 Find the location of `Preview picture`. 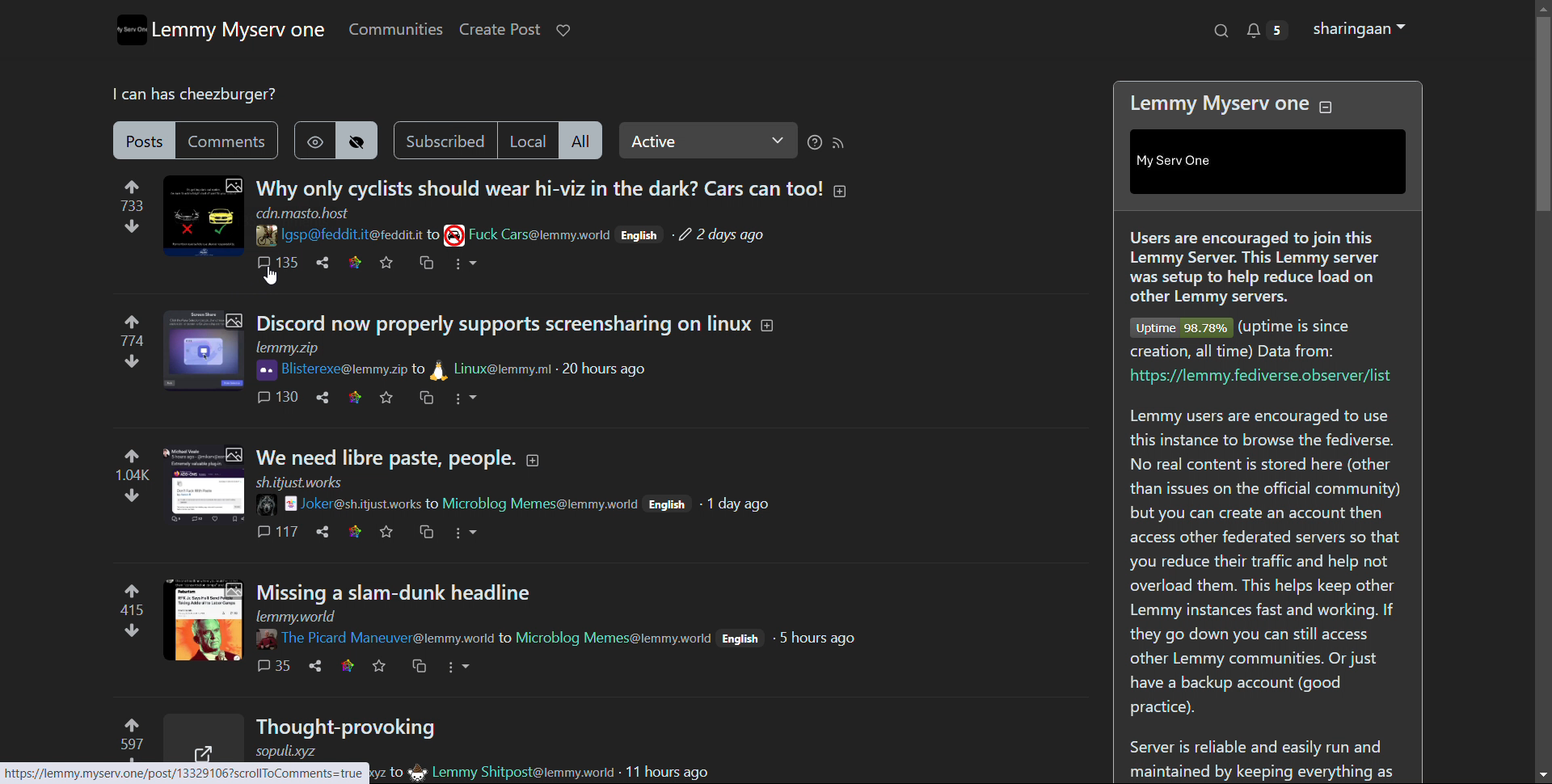

Preview picture is located at coordinates (204, 620).